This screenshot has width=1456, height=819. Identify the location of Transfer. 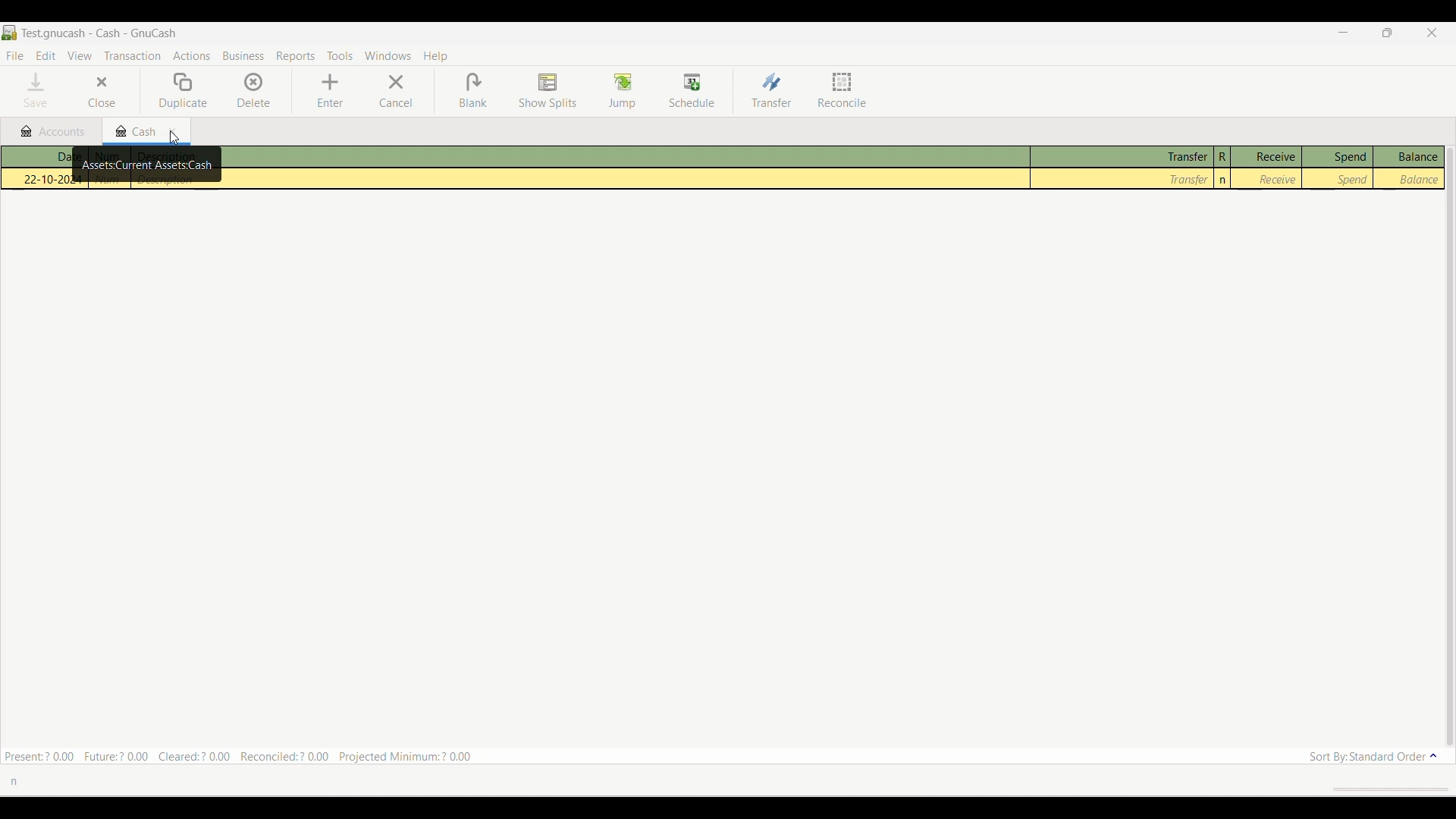
(1122, 158).